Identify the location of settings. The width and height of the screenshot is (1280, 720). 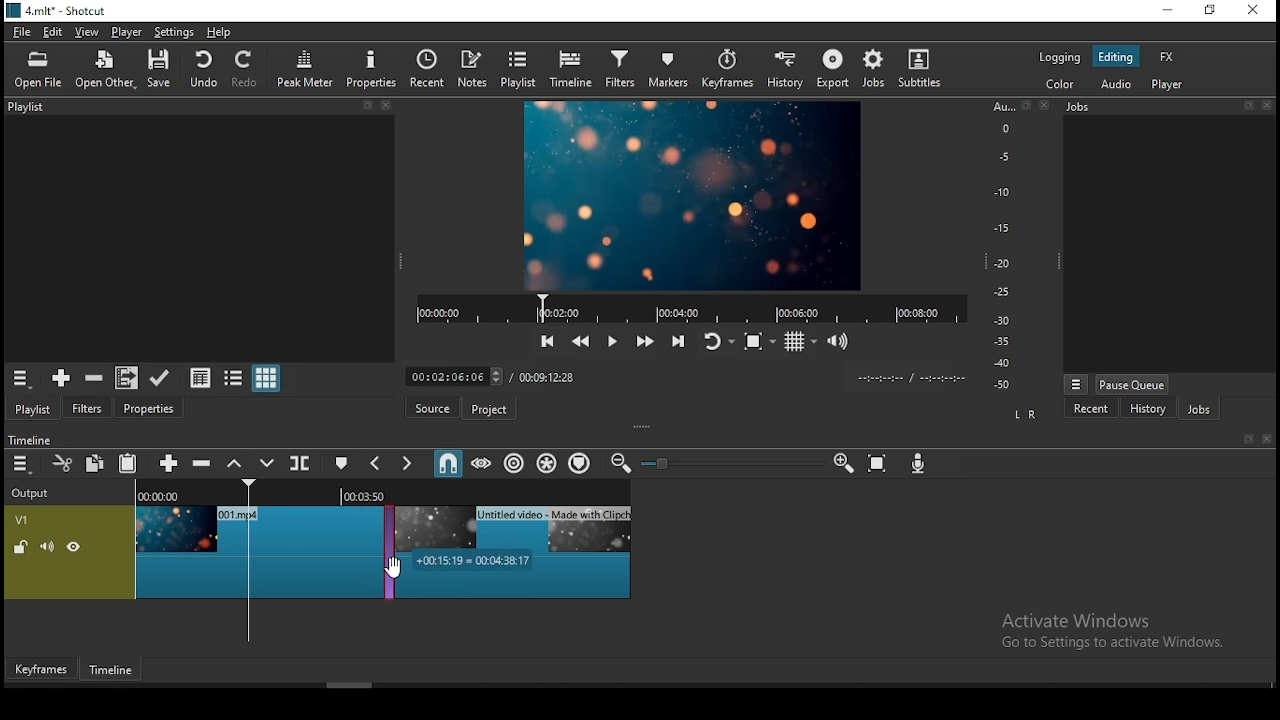
(174, 32).